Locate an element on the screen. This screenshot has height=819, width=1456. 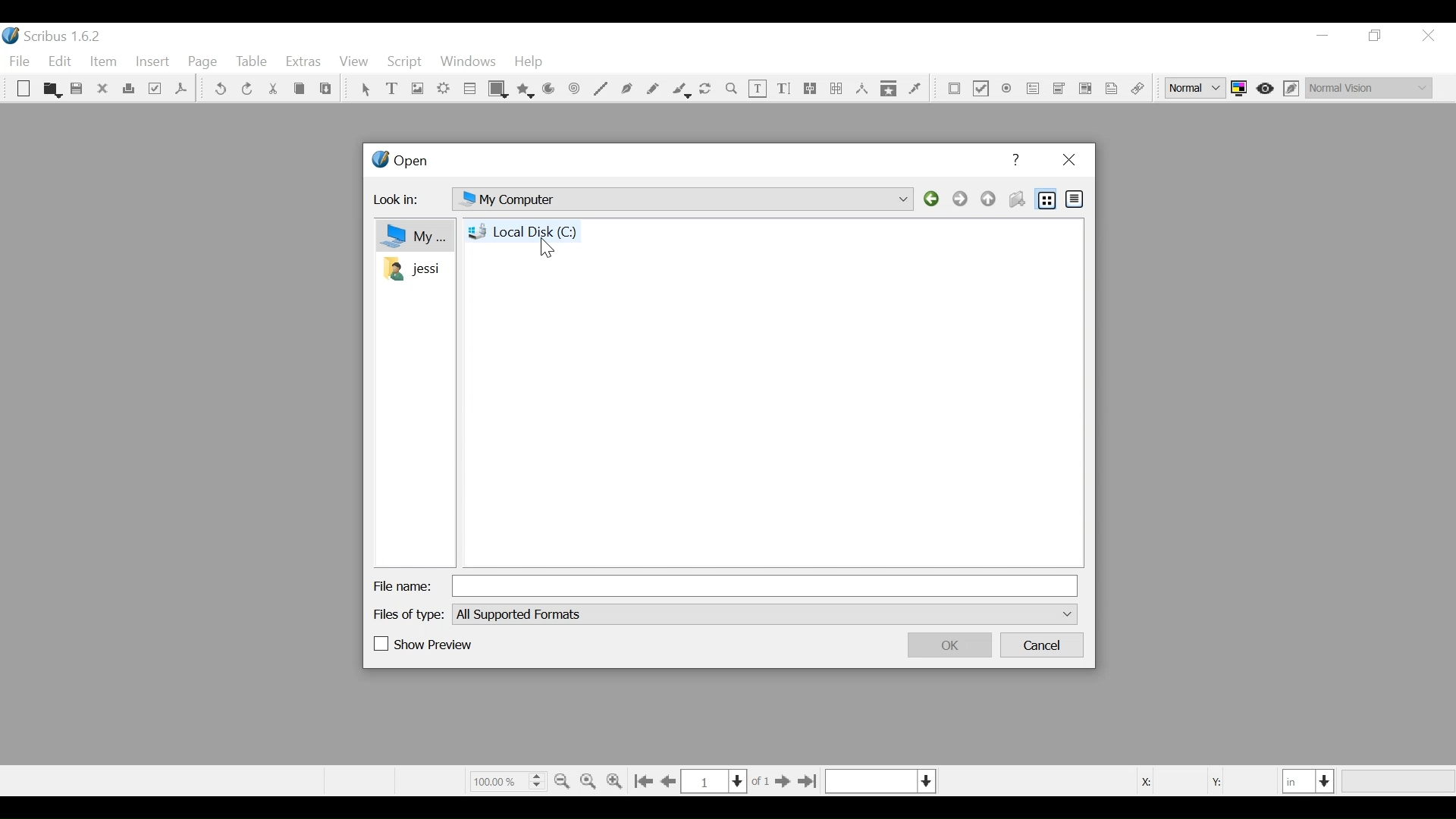
Zoom out is located at coordinates (563, 780).